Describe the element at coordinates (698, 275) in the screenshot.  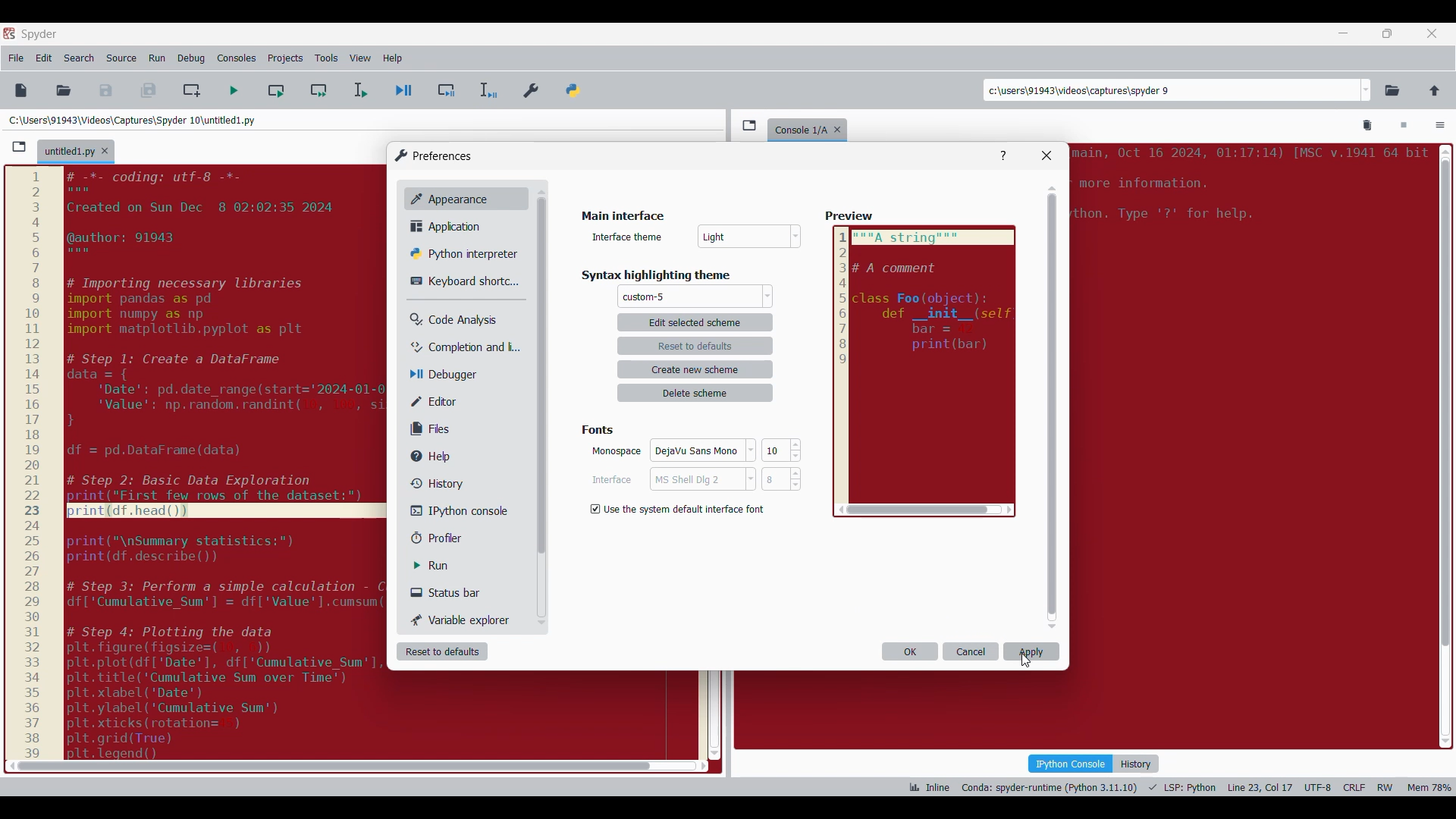
I see `Respective section title` at that location.